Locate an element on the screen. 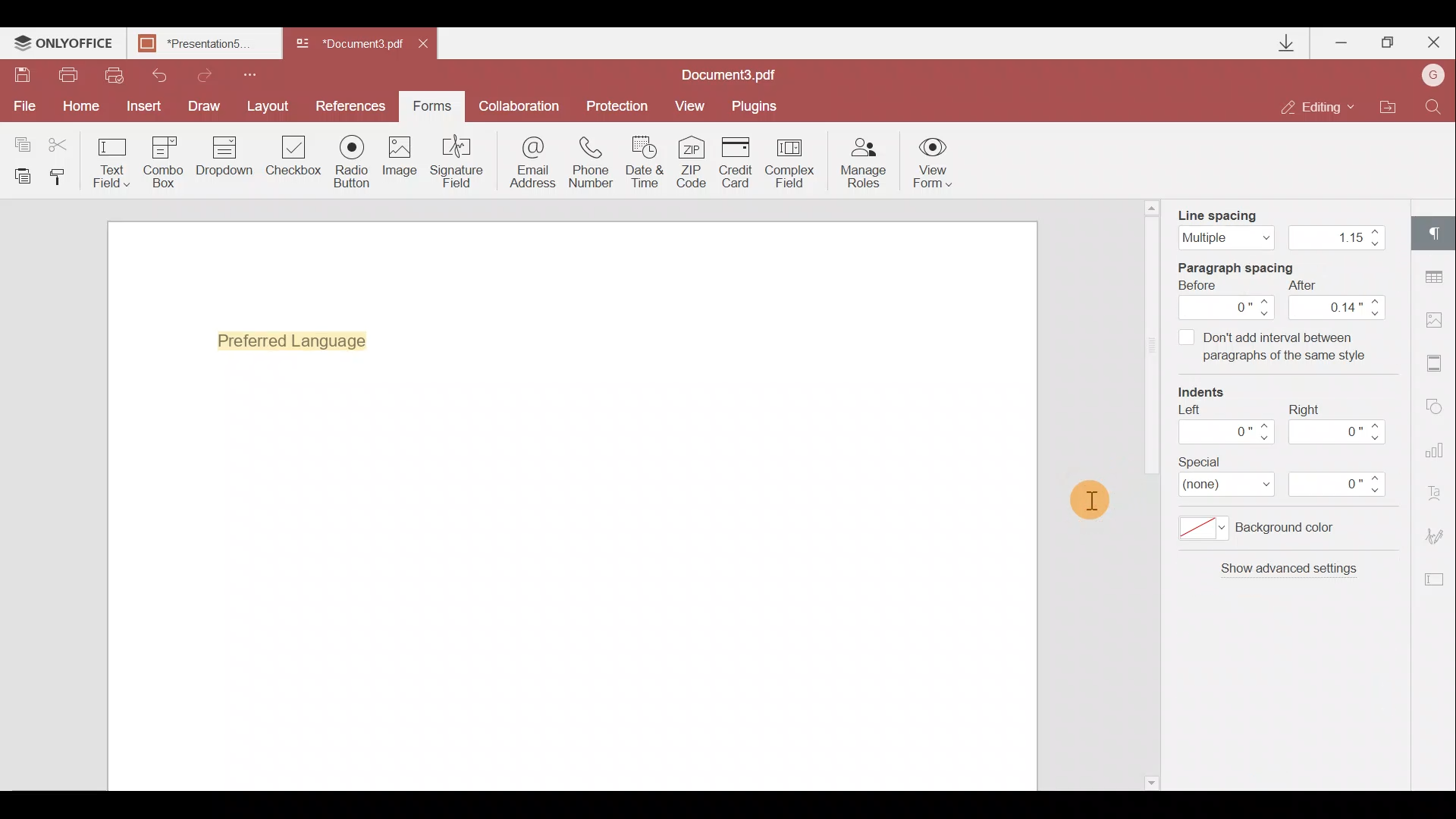 The height and width of the screenshot is (819, 1456). Copy is located at coordinates (21, 141).